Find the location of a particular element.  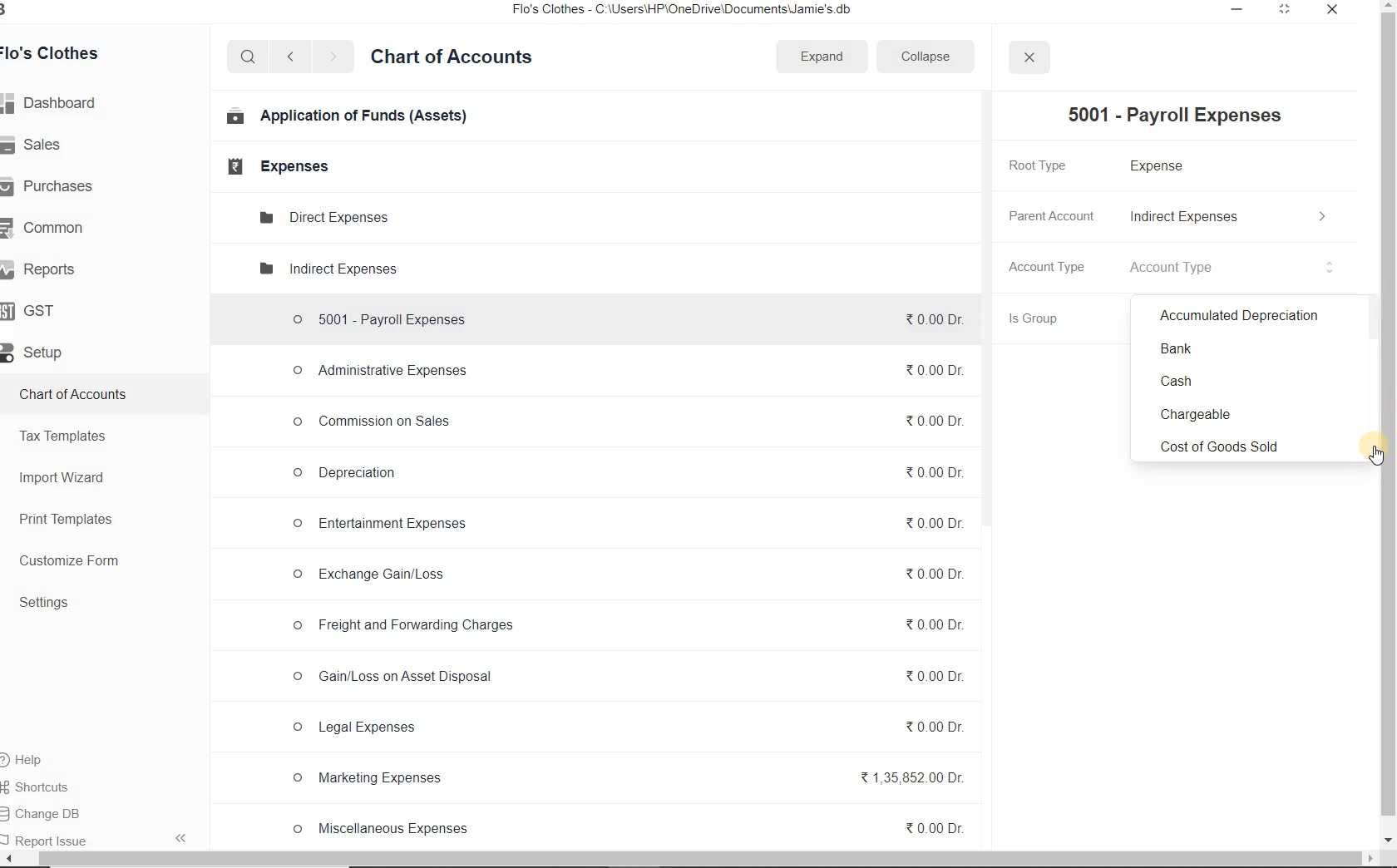

Sales is located at coordinates (39, 145).